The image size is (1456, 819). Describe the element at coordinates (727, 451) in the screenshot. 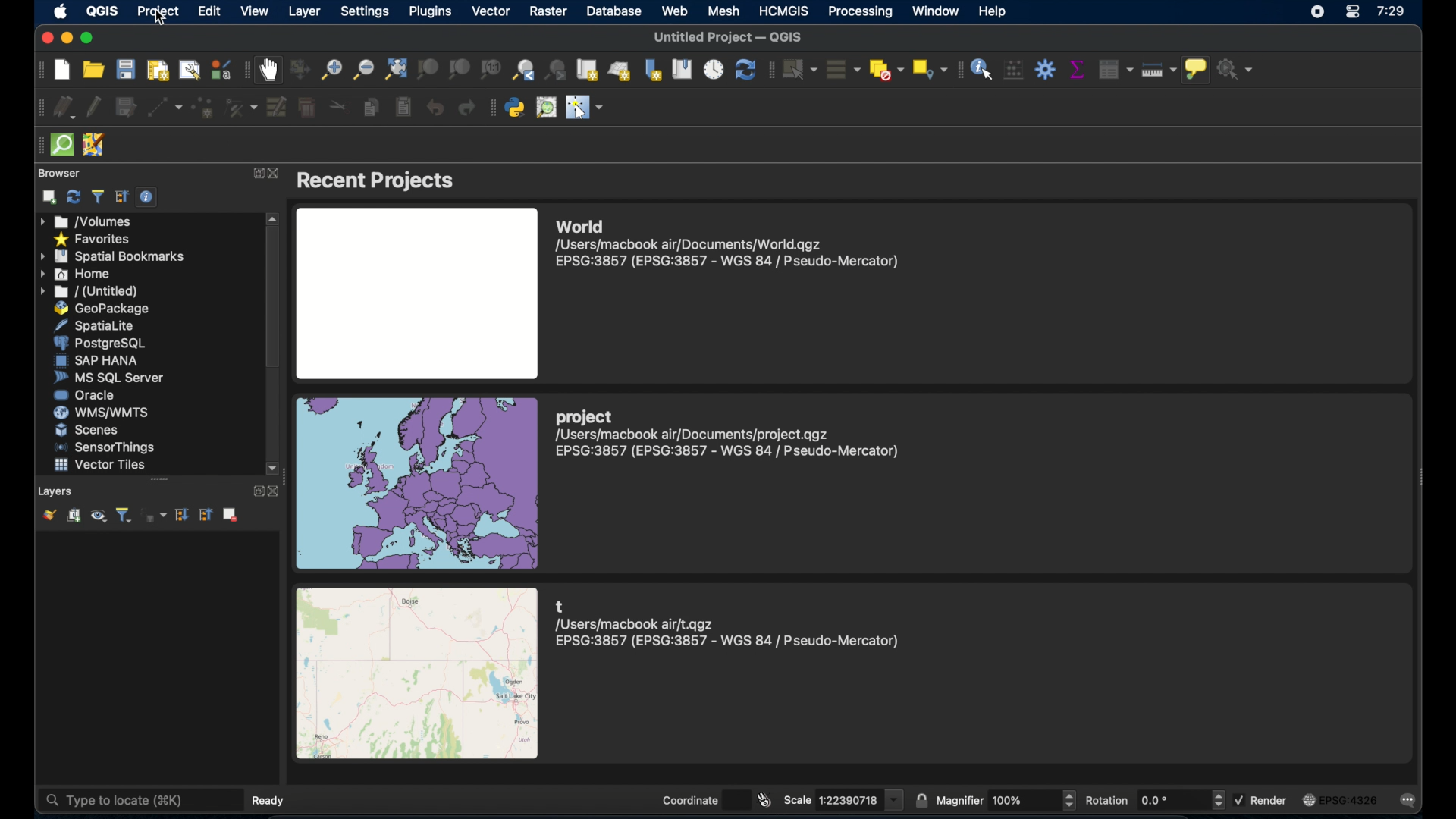

I see `EPSG:3857 (EPSG:3857 - WGS 84 | Pseudo-Mercator)` at that location.